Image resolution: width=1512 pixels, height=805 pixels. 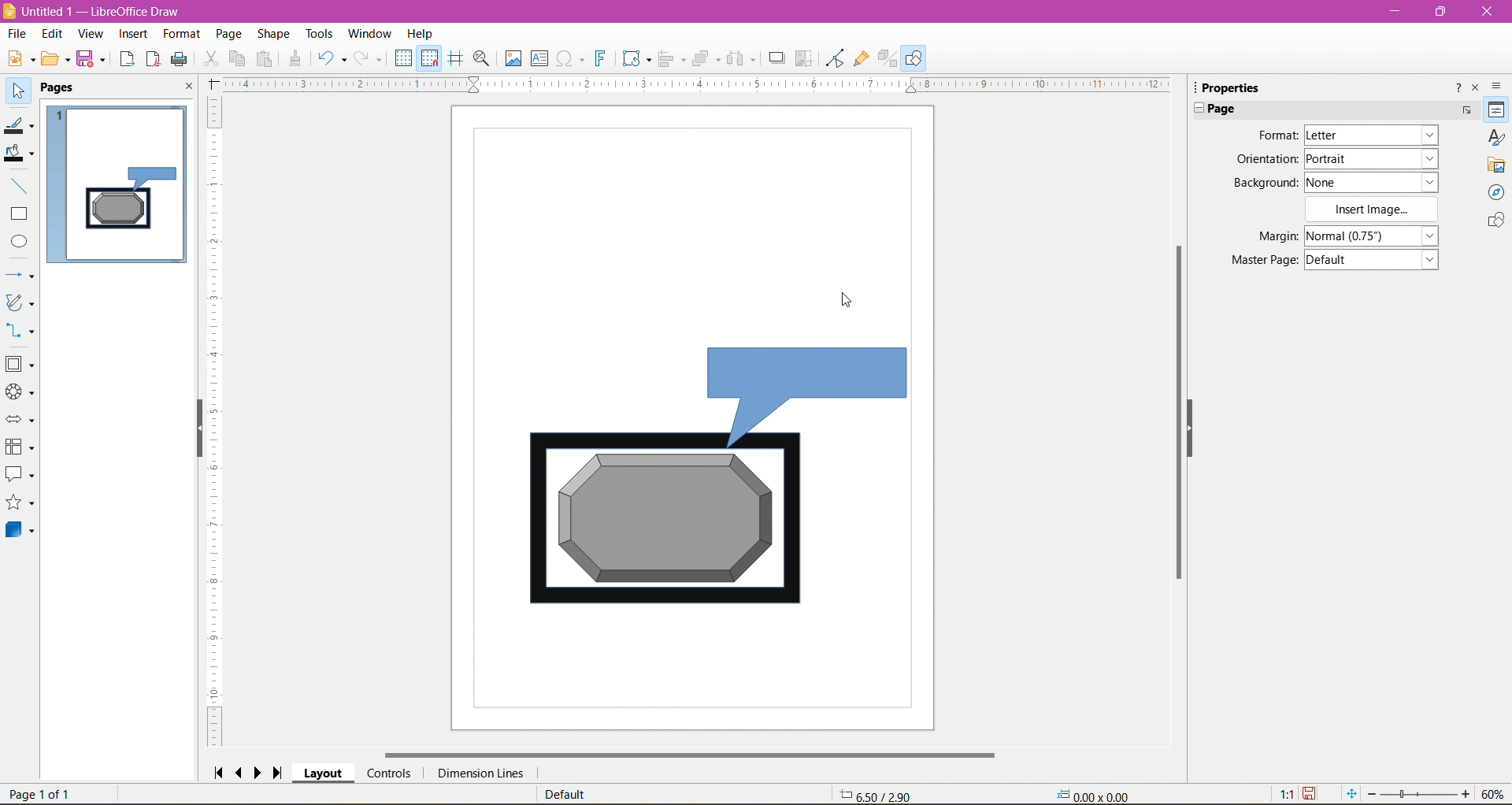 I want to click on Insert Image, so click(x=511, y=58).